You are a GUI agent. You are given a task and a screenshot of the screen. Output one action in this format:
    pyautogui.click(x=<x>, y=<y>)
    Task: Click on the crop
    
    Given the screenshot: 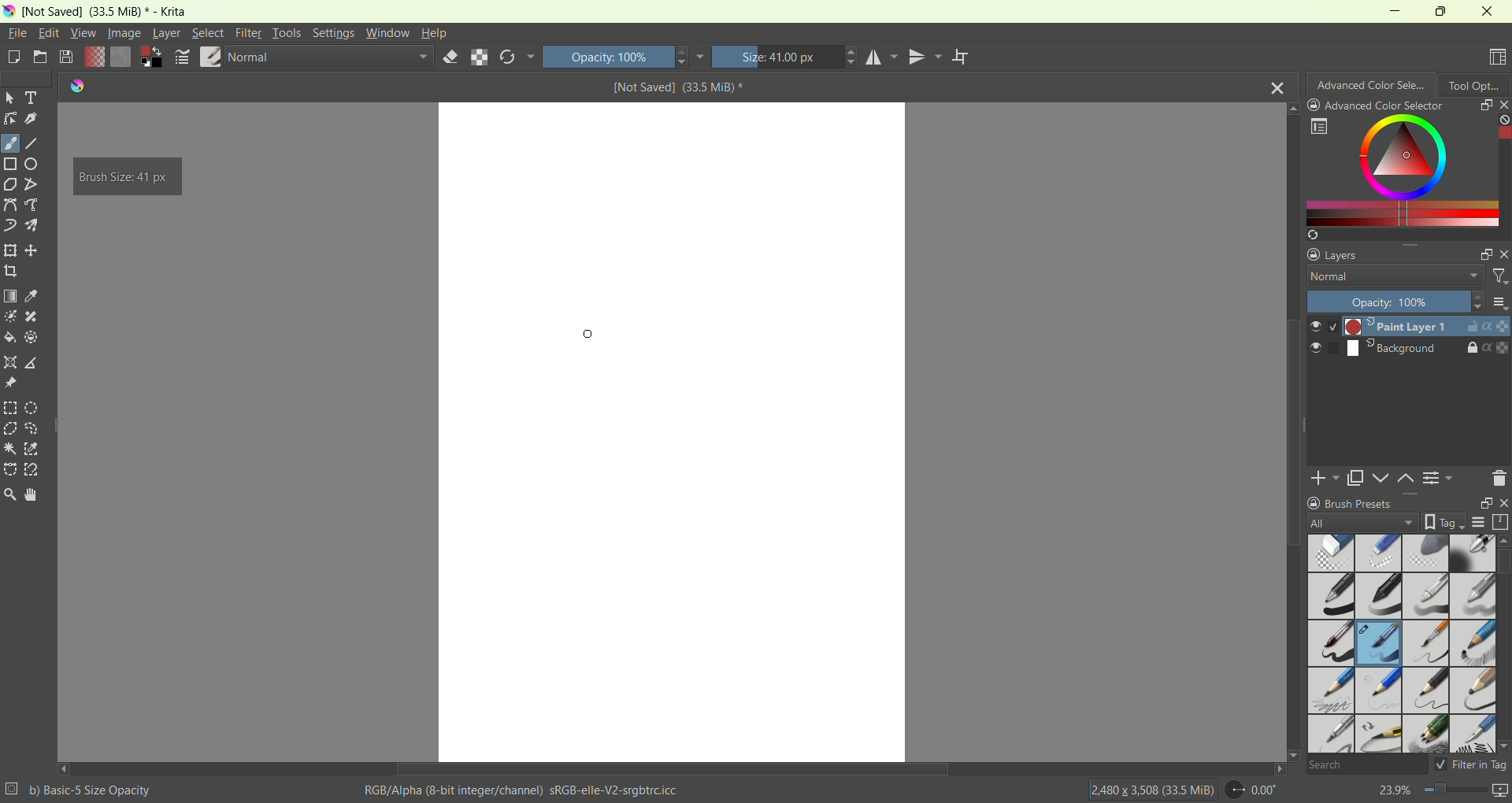 What is the action you would take?
    pyautogui.click(x=10, y=270)
    